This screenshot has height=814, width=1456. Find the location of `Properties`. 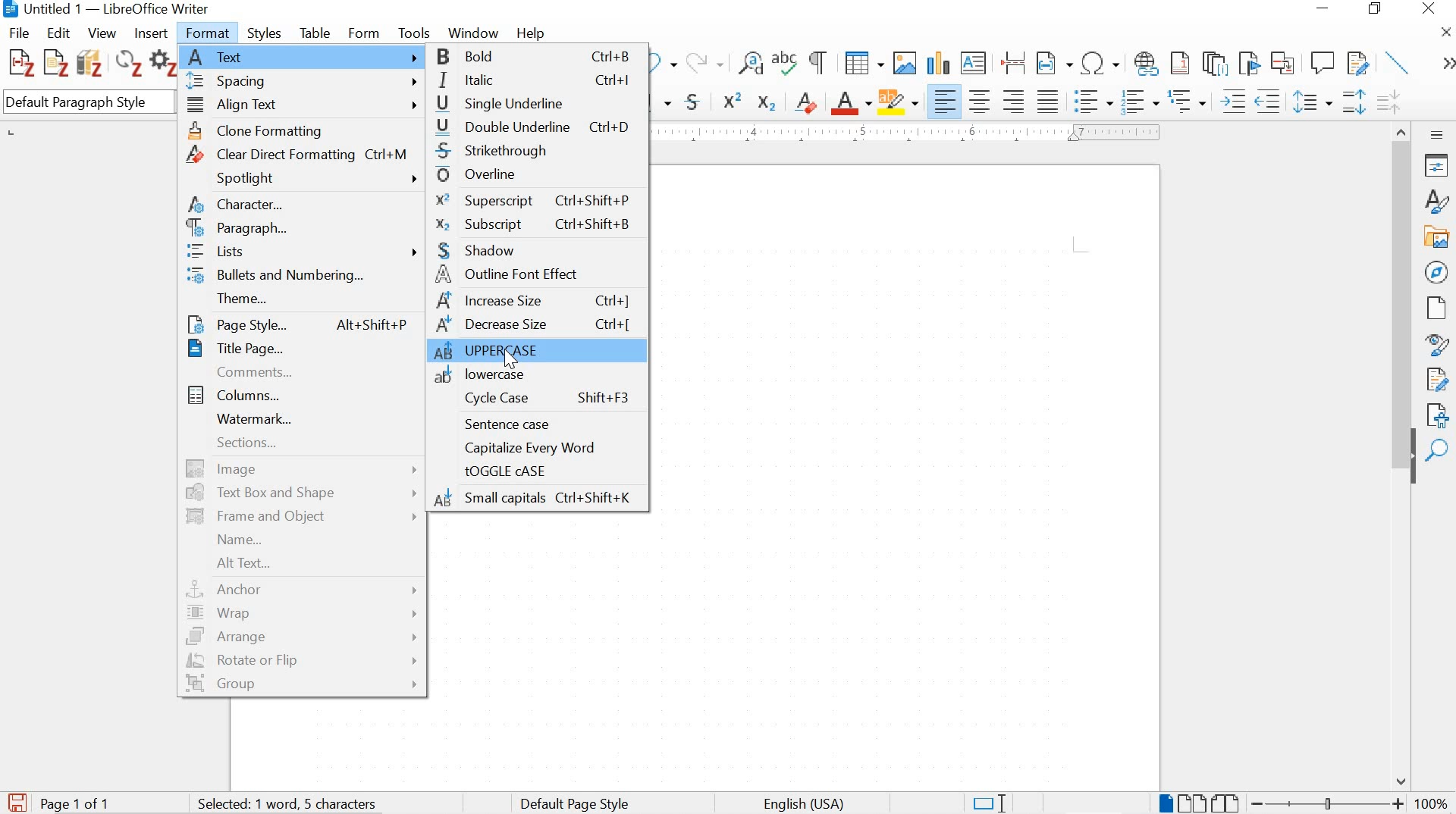

Properties is located at coordinates (1439, 165).